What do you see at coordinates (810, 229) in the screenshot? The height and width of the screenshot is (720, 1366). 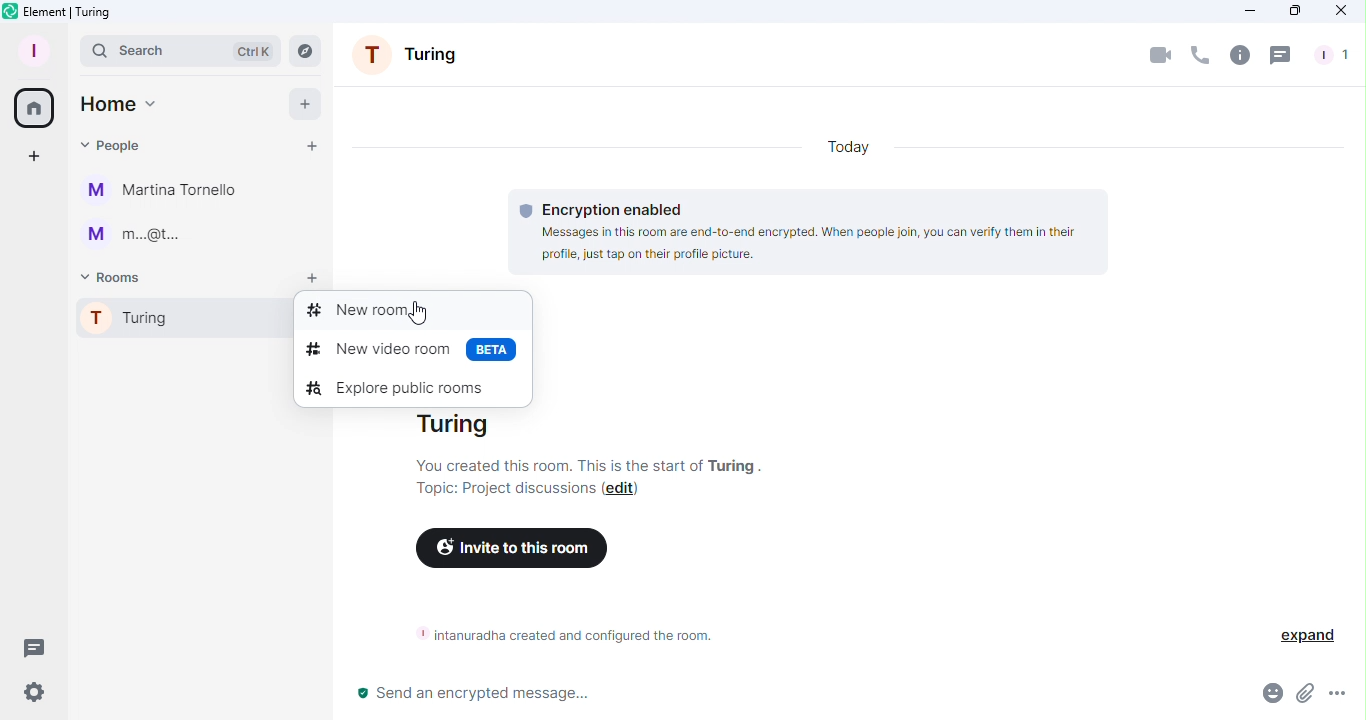 I see `Encryption information` at bounding box center [810, 229].